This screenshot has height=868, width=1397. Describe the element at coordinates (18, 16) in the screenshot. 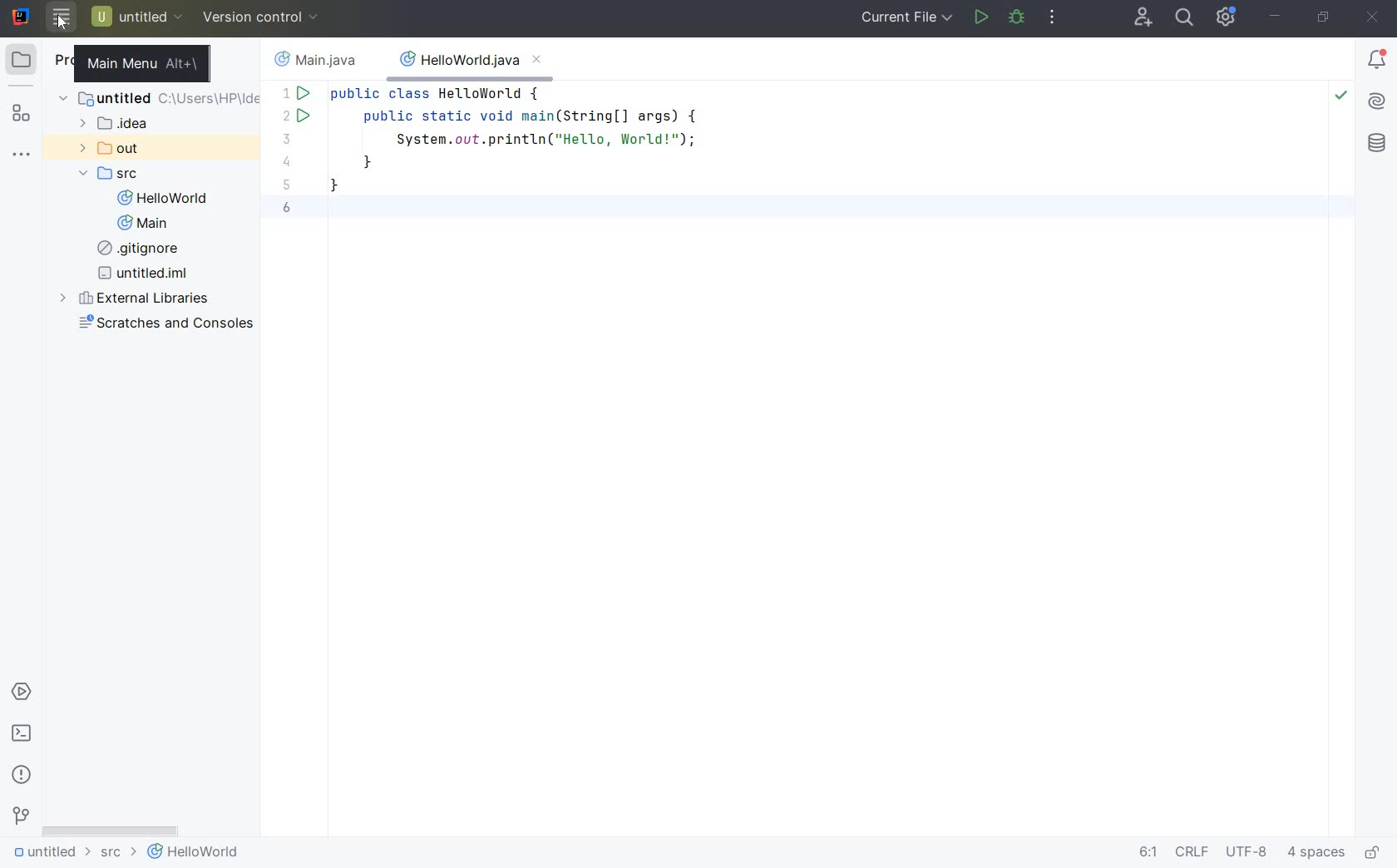

I see `system name` at that location.